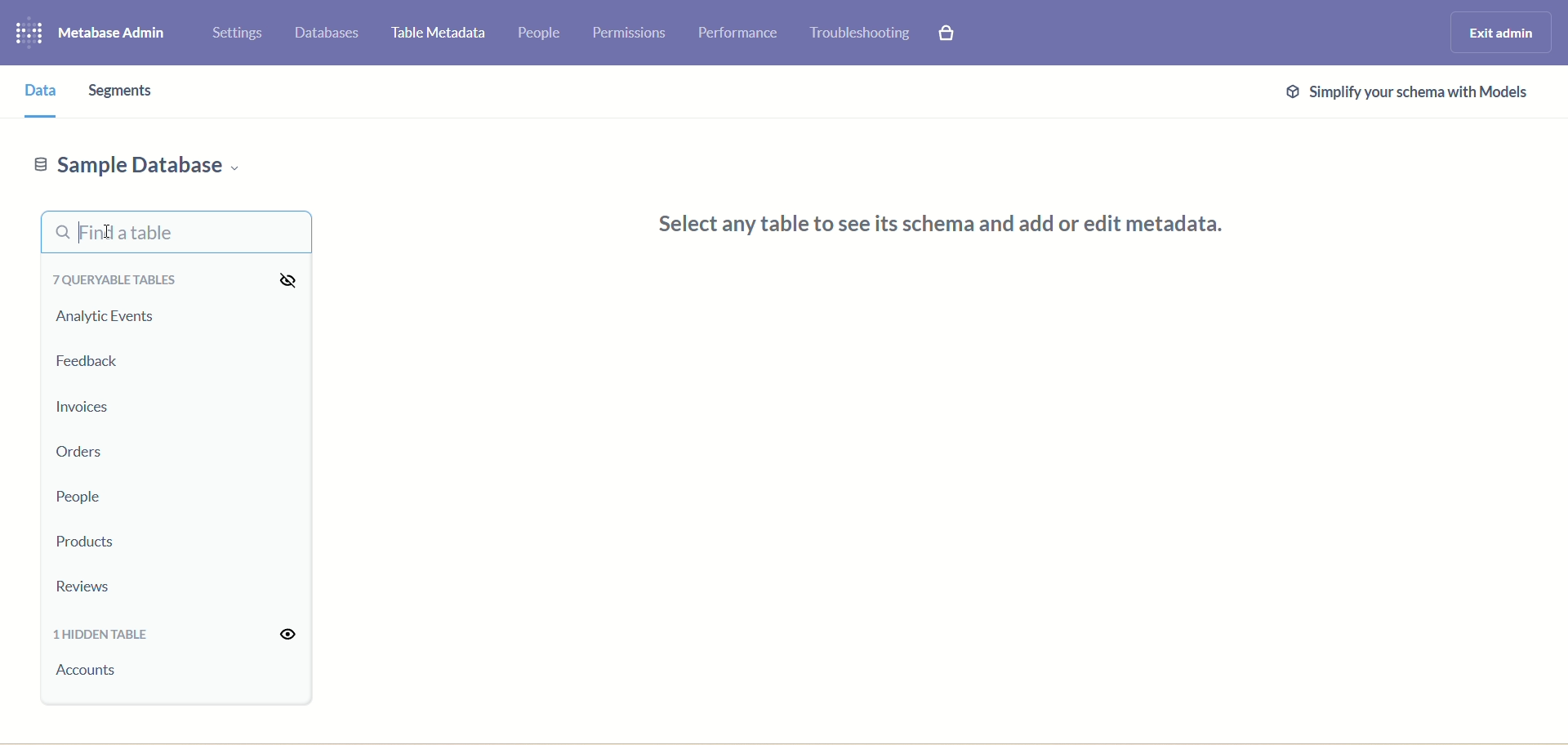 Image resolution: width=1568 pixels, height=745 pixels. Describe the element at coordinates (630, 32) in the screenshot. I see `permissions` at that location.